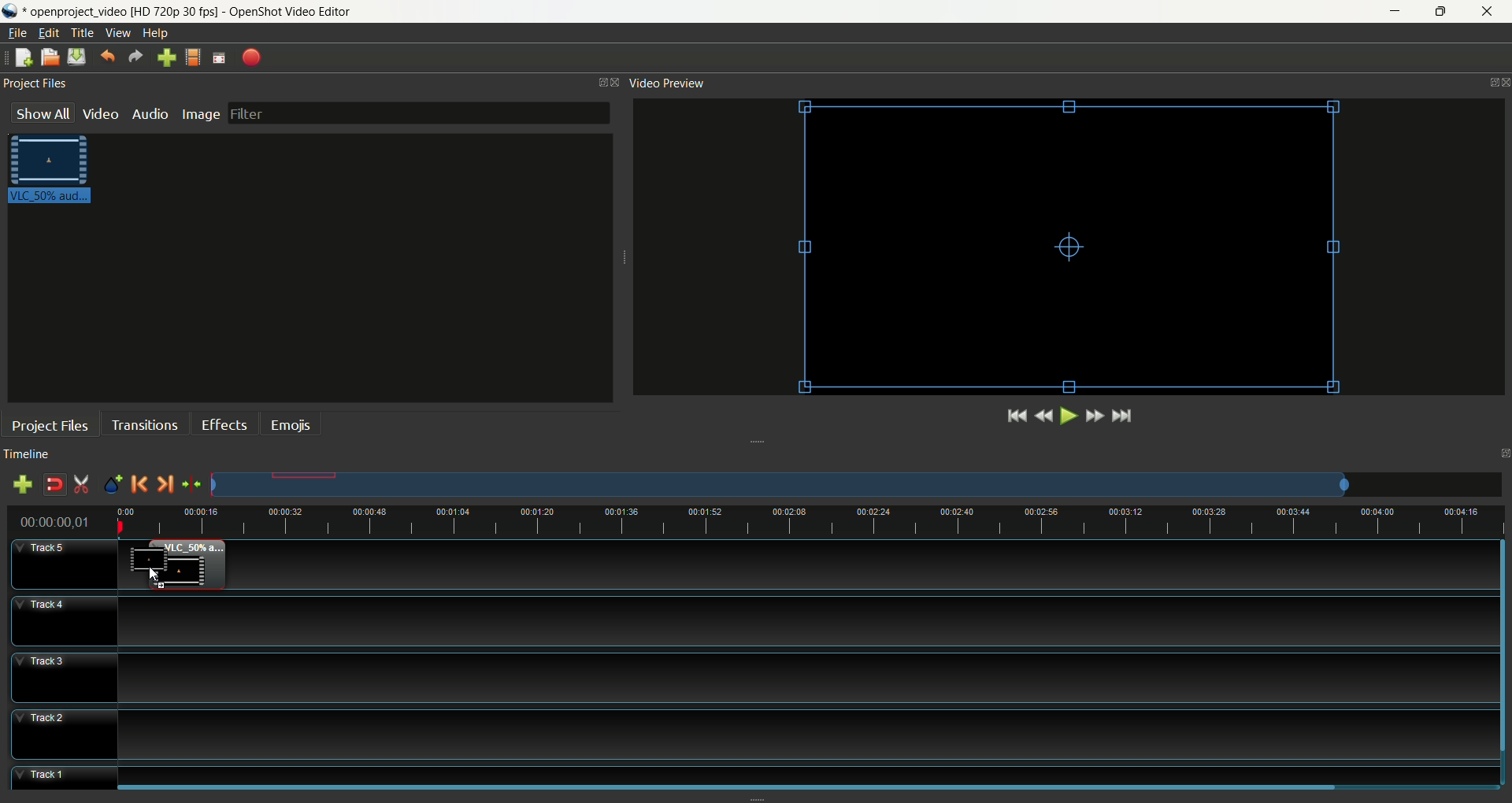 The image size is (1512, 803). What do you see at coordinates (138, 57) in the screenshot?
I see `redo` at bounding box center [138, 57].